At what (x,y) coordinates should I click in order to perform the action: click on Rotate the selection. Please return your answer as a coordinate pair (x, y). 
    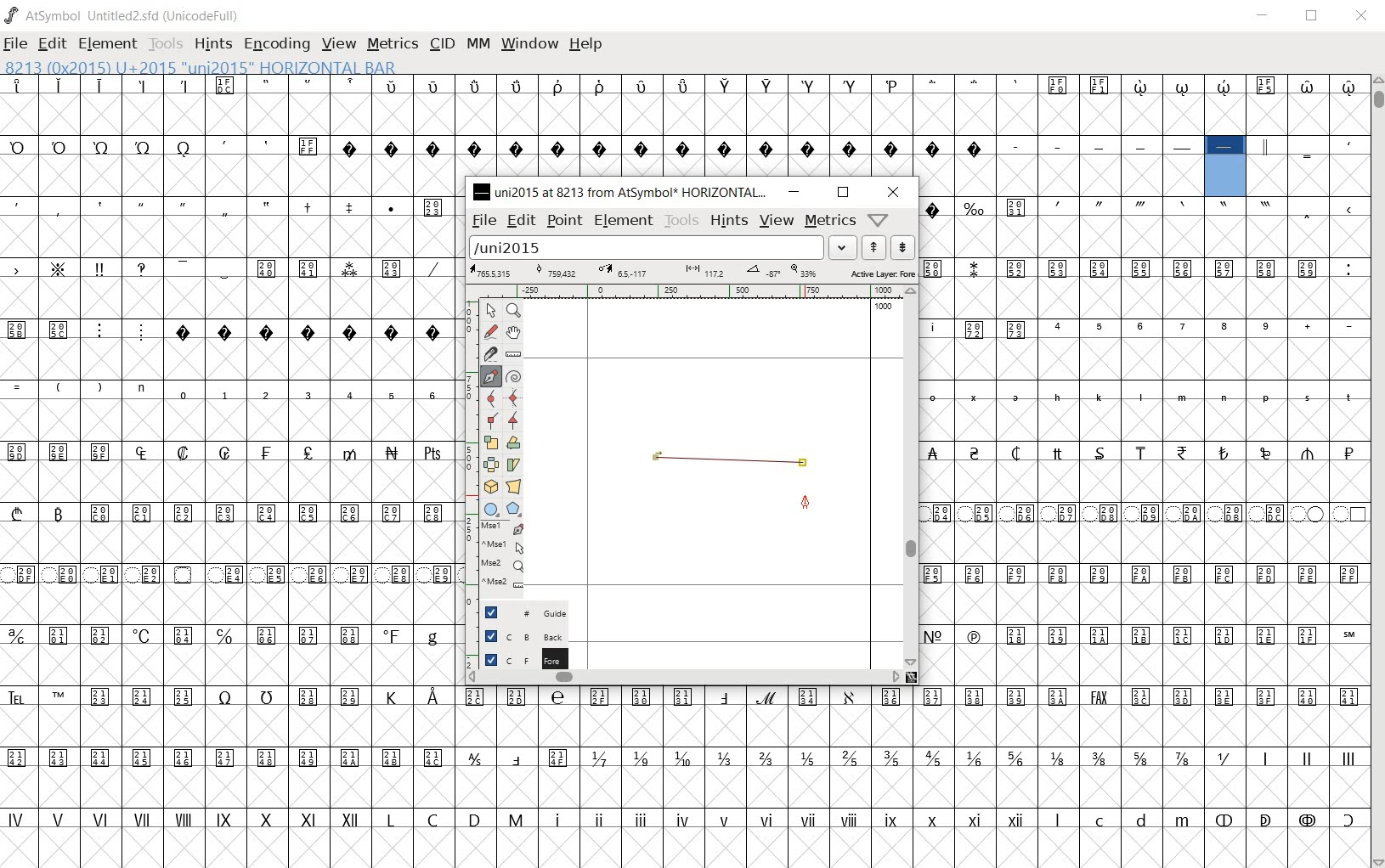
    Looking at the image, I should click on (515, 442).